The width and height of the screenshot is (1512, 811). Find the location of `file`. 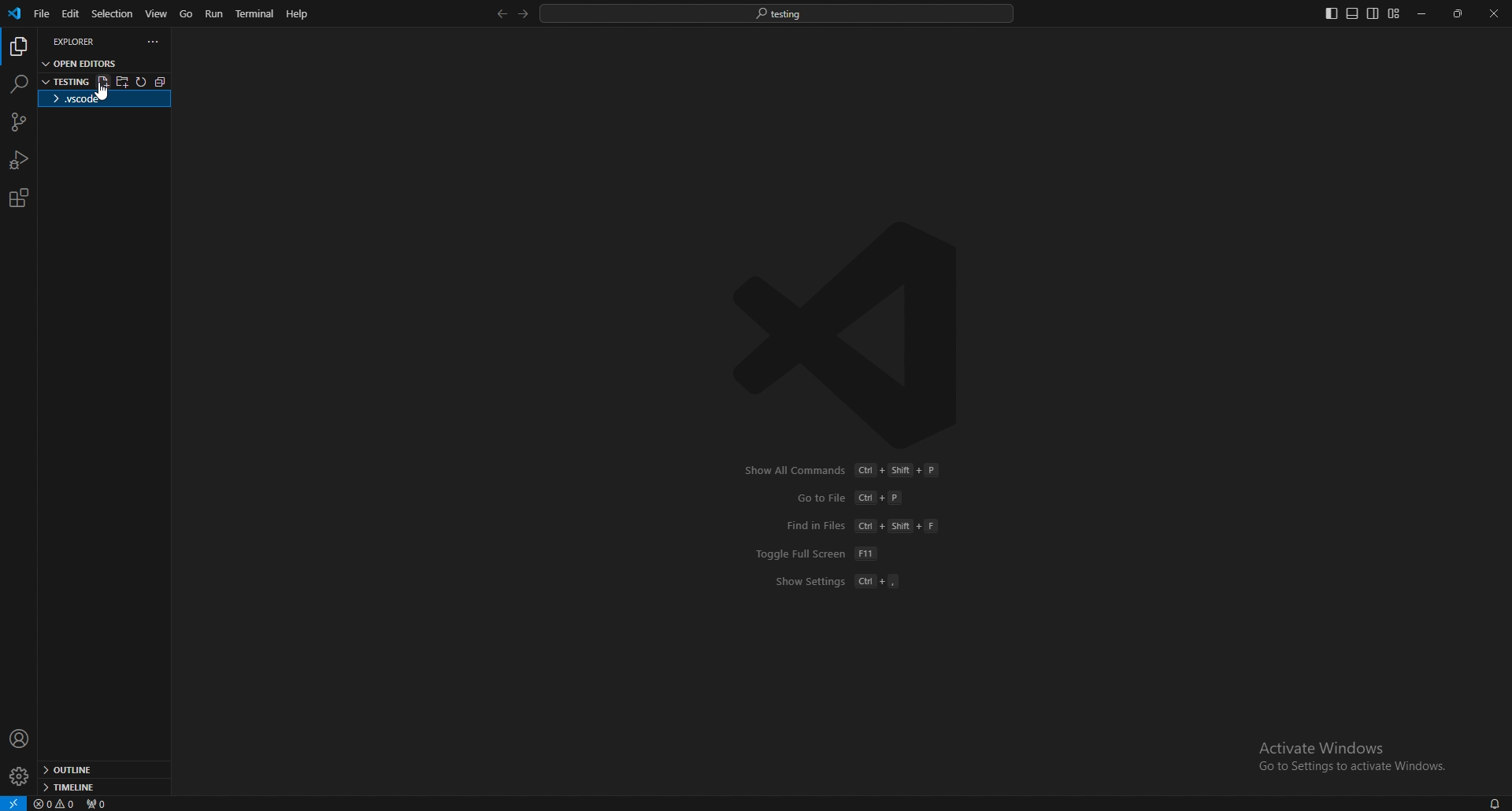

file is located at coordinates (40, 14).